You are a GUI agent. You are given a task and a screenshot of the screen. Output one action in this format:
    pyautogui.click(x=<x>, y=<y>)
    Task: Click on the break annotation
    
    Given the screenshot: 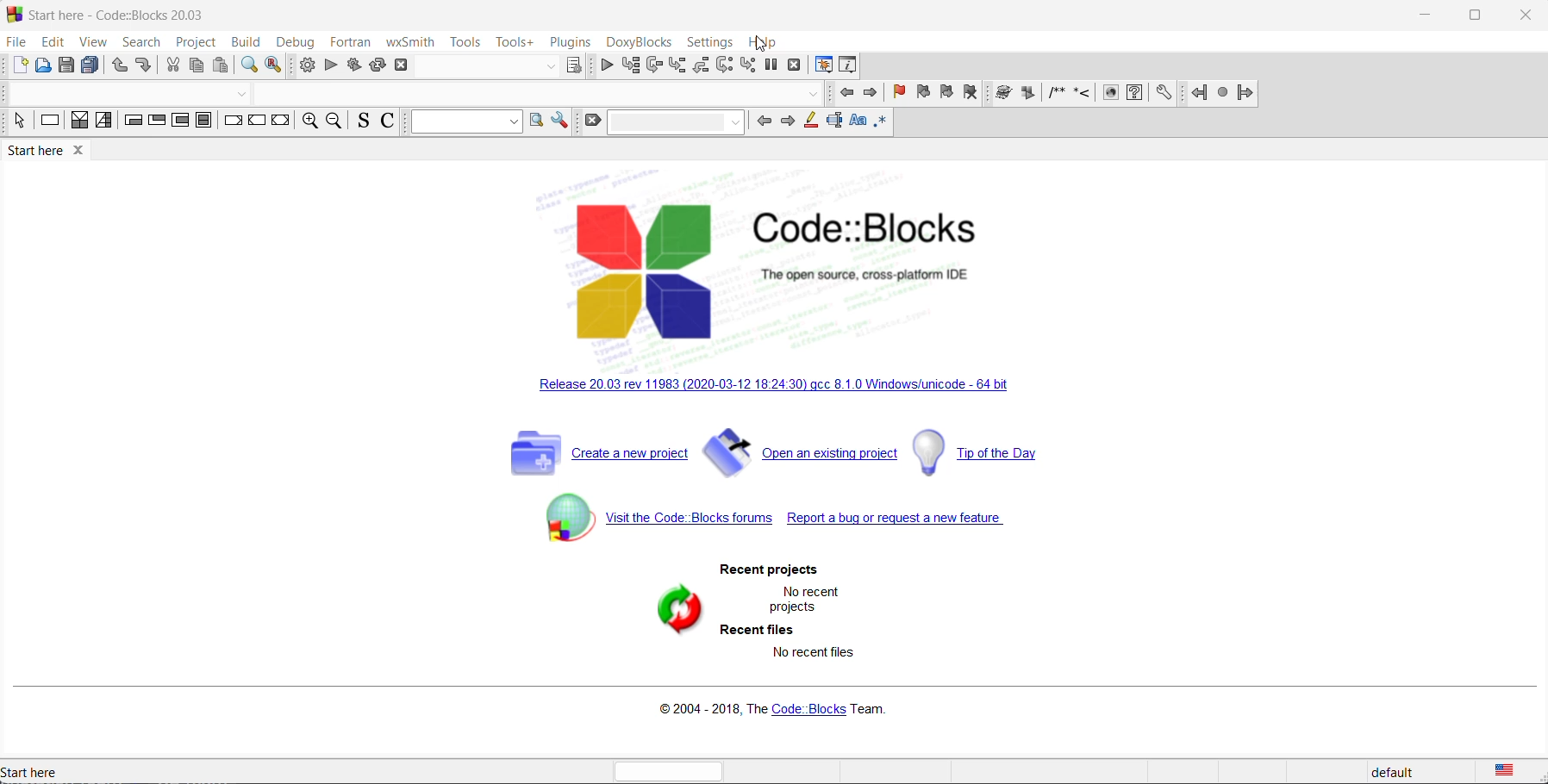 What is the action you would take?
    pyautogui.click(x=772, y=68)
    